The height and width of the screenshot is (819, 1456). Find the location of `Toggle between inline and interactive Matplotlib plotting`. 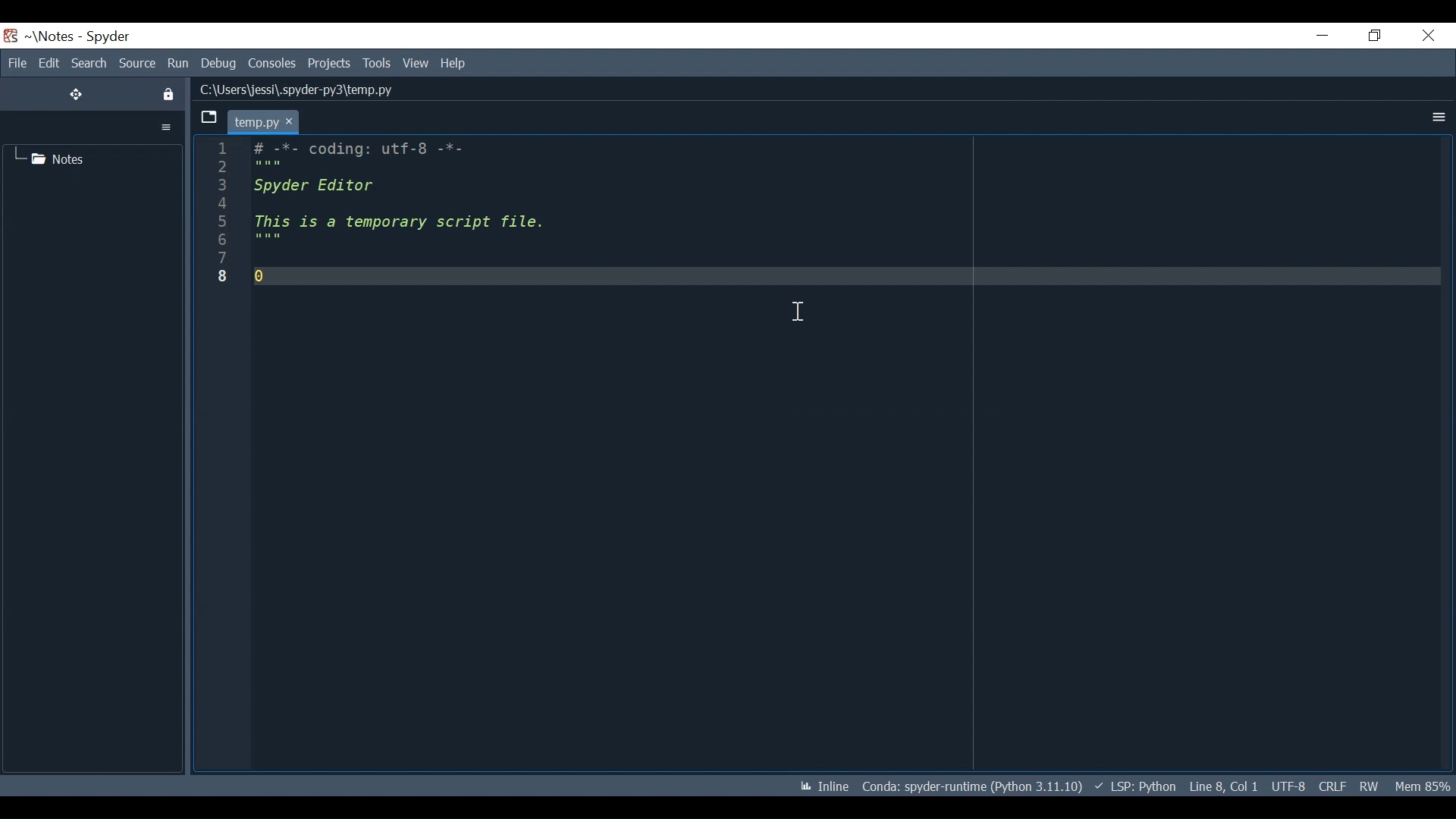

Toggle between inline and interactive Matplotlib plotting is located at coordinates (826, 786).